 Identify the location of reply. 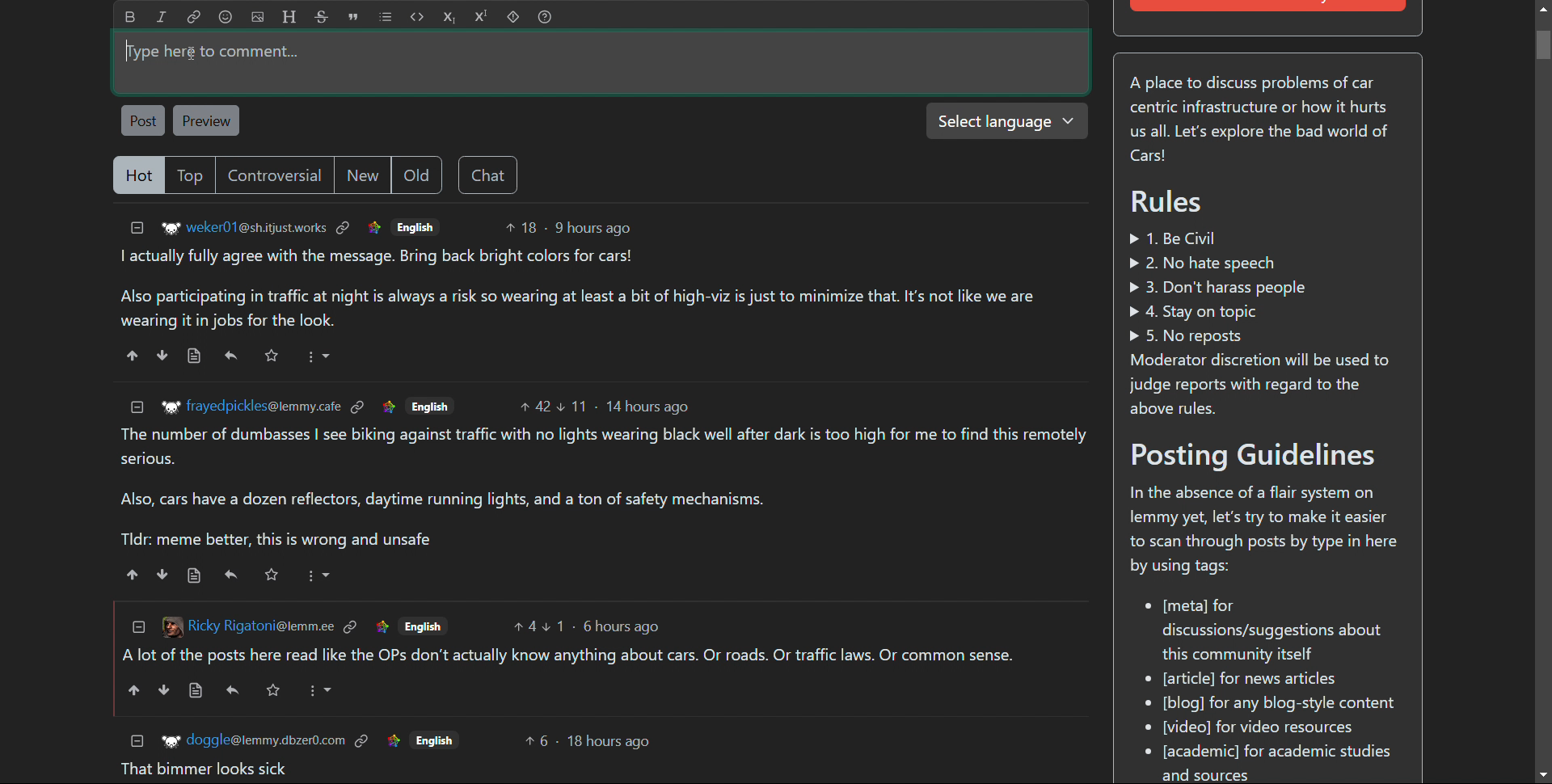
(233, 575).